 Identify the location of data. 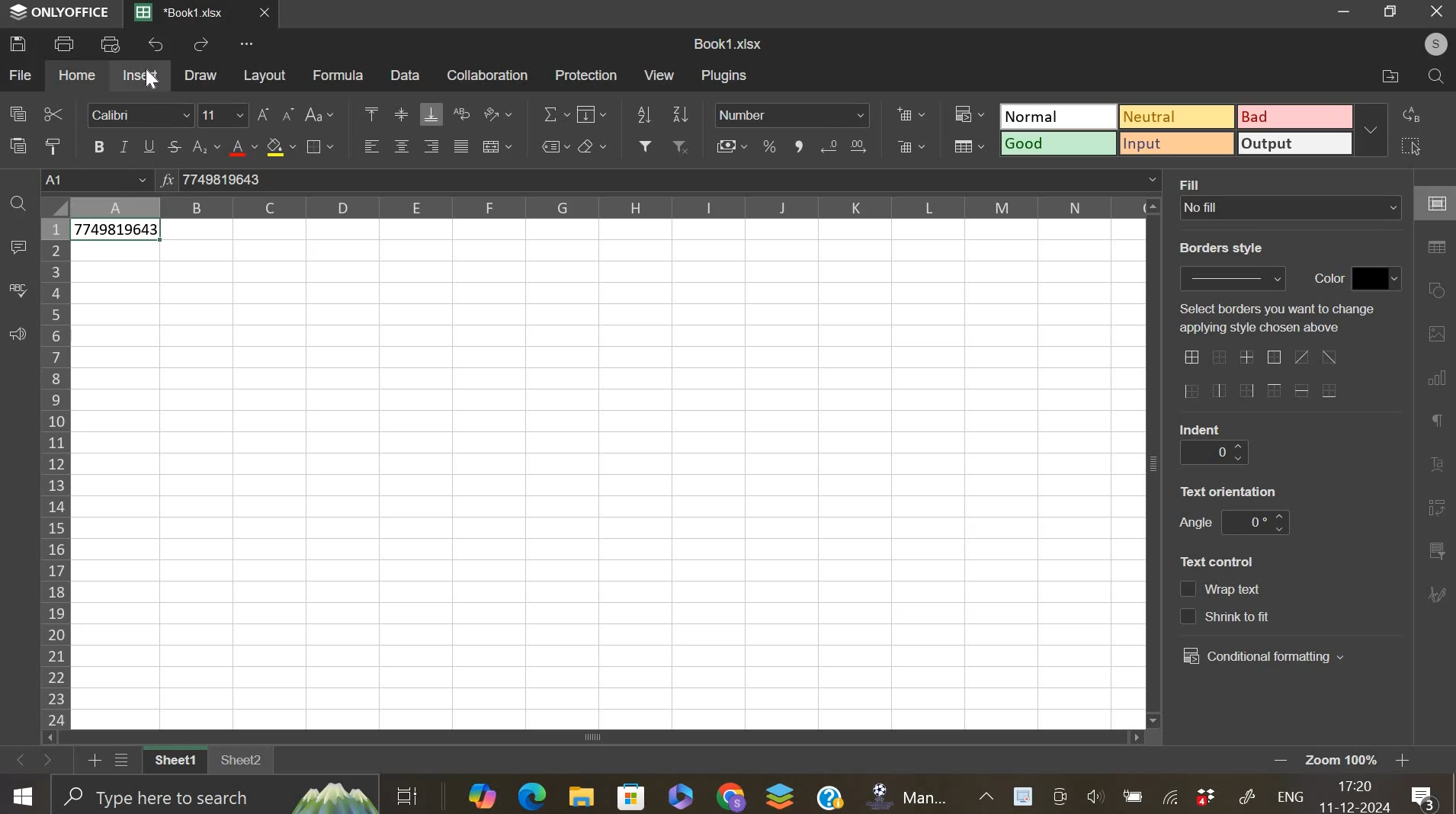
(118, 232).